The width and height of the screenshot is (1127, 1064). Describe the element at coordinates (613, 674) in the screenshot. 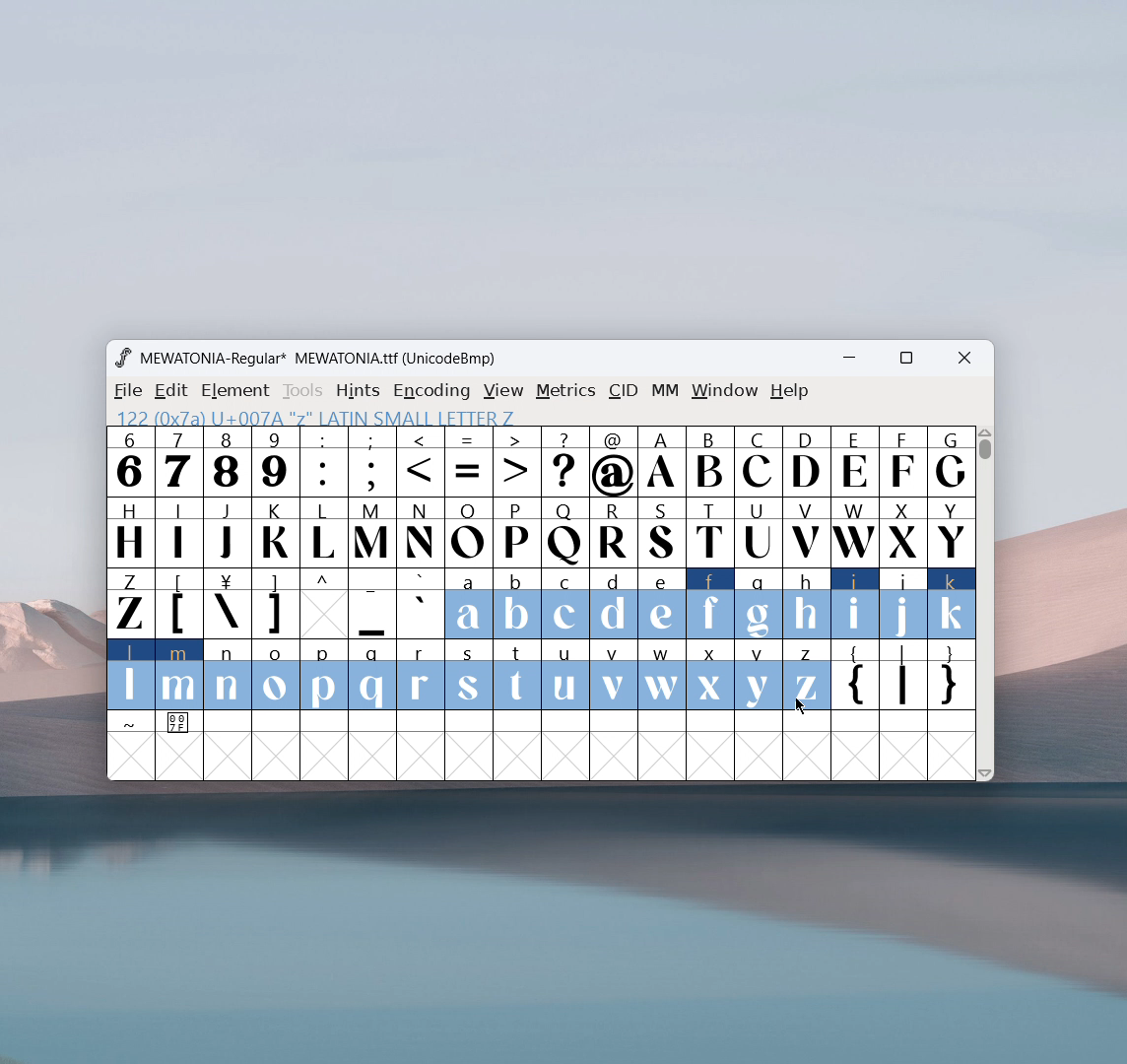

I see `v` at that location.